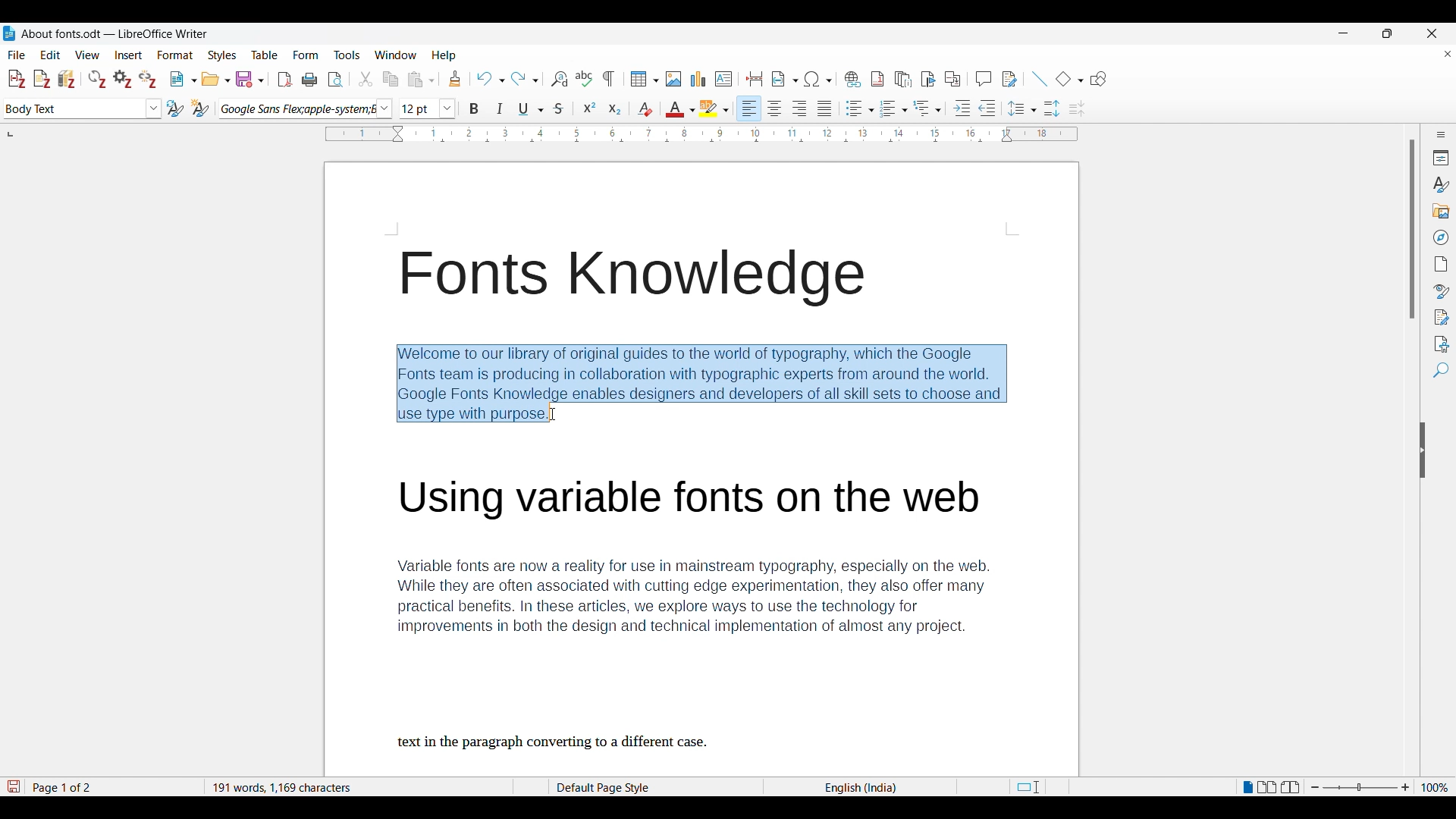  Describe the element at coordinates (347, 55) in the screenshot. I see `Tools menu` at that location.